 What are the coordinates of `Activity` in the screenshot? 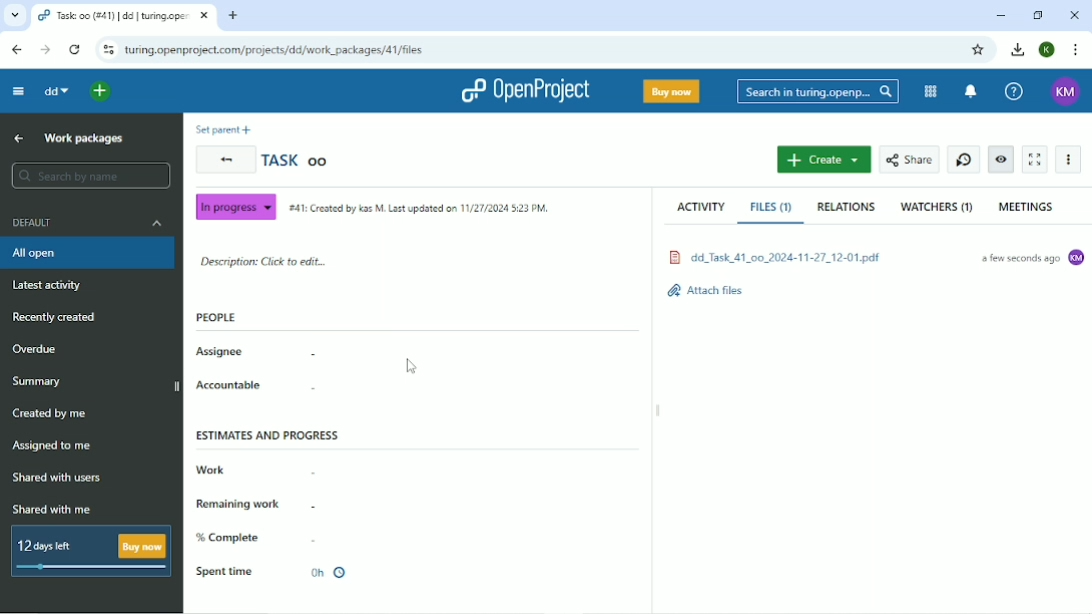 It's located at (700, 208).